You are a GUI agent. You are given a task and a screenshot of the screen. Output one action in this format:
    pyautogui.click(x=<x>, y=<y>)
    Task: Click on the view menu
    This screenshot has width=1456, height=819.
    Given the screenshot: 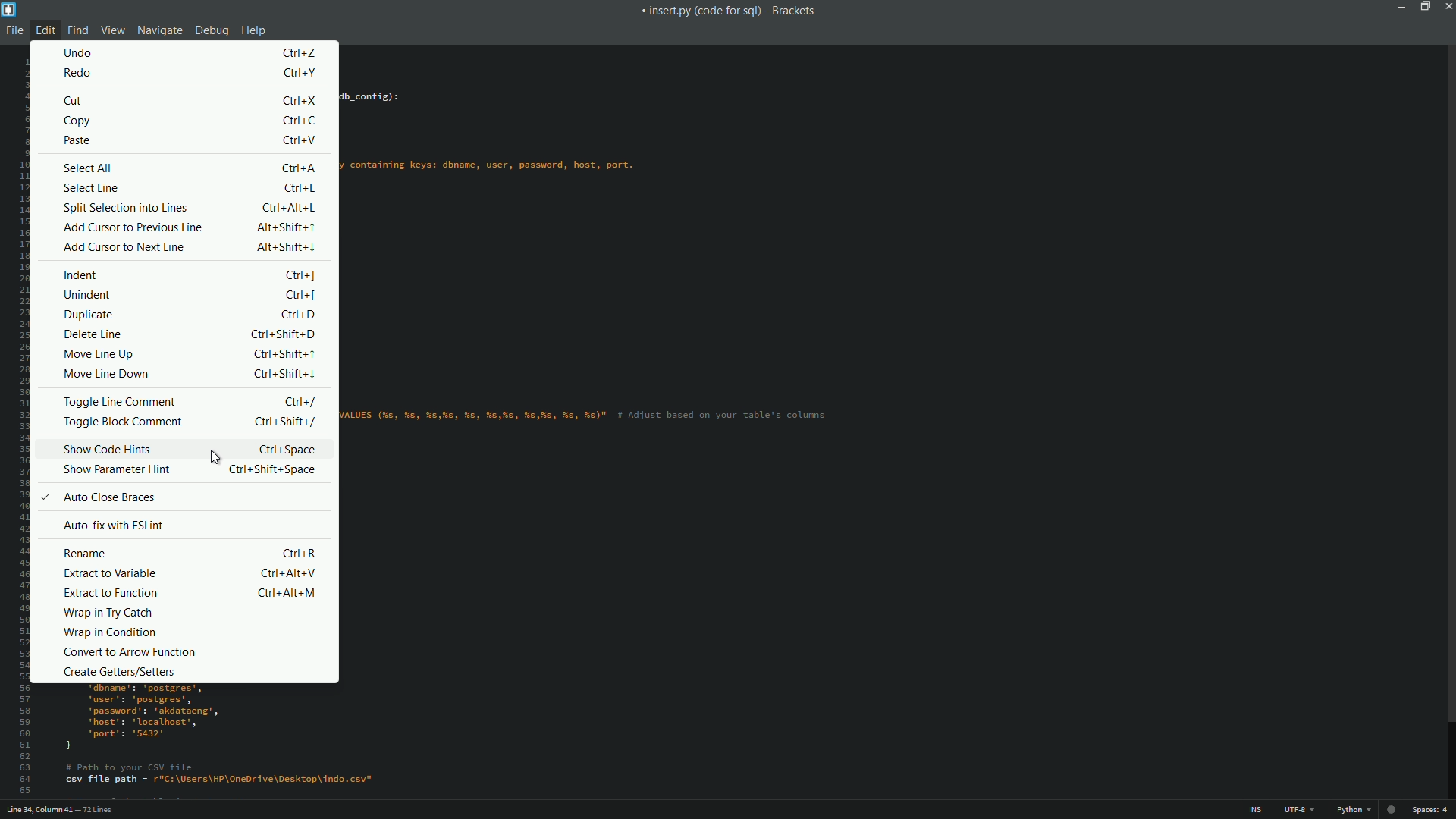 What is the action you would take?
    pyautogui.click(x=111, y=30)
    